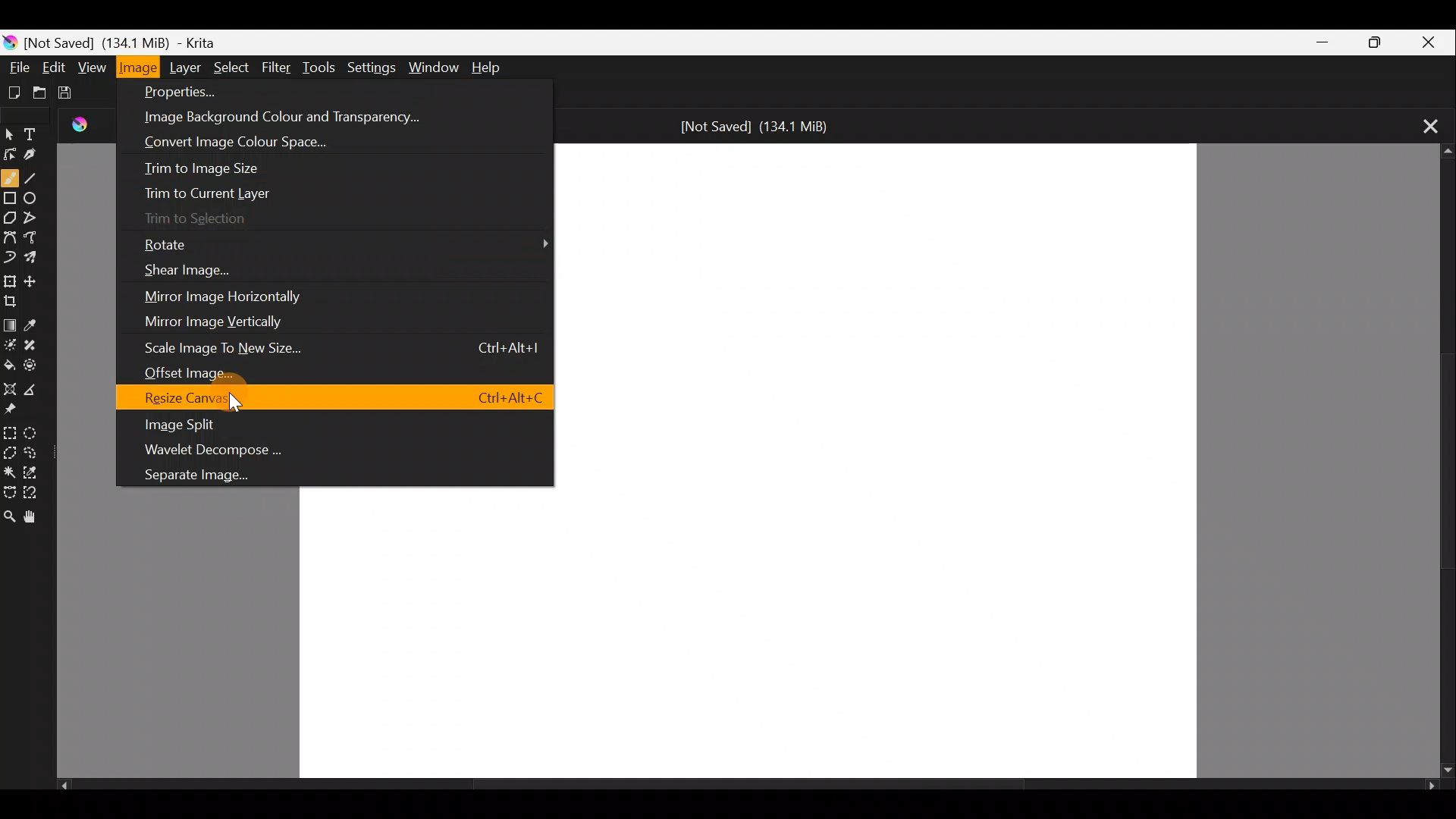 The width and height of the screenshot is (1456, 819). What do you see at coordinates (35, 236) in the screenshot?
I see `Freehand path tool` at bounding box center [35, 236].